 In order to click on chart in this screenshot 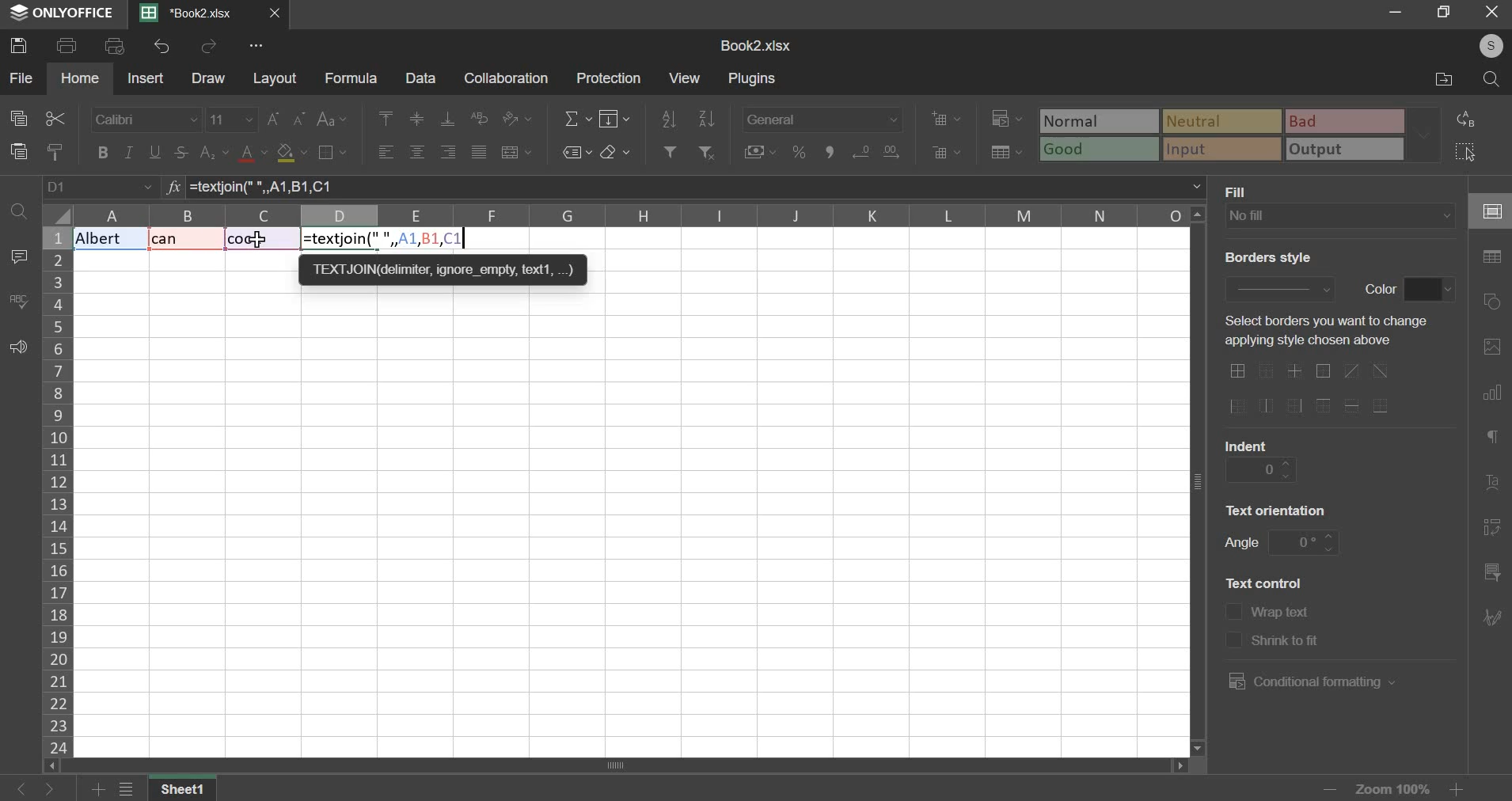, I will do `click(1491, 396)`.